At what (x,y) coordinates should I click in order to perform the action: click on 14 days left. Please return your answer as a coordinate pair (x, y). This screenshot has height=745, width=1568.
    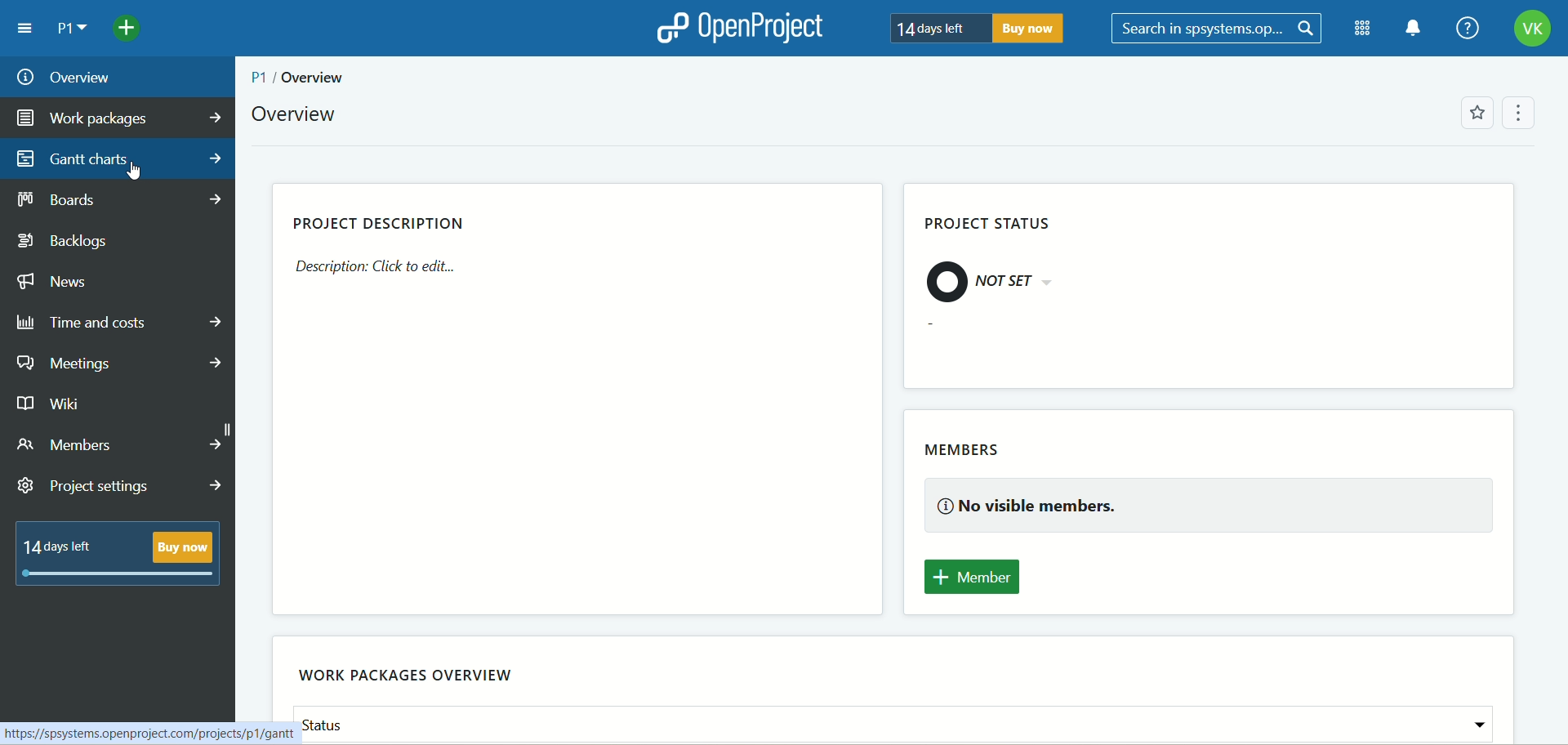
    Looking at the image, I should click on (938, 29).